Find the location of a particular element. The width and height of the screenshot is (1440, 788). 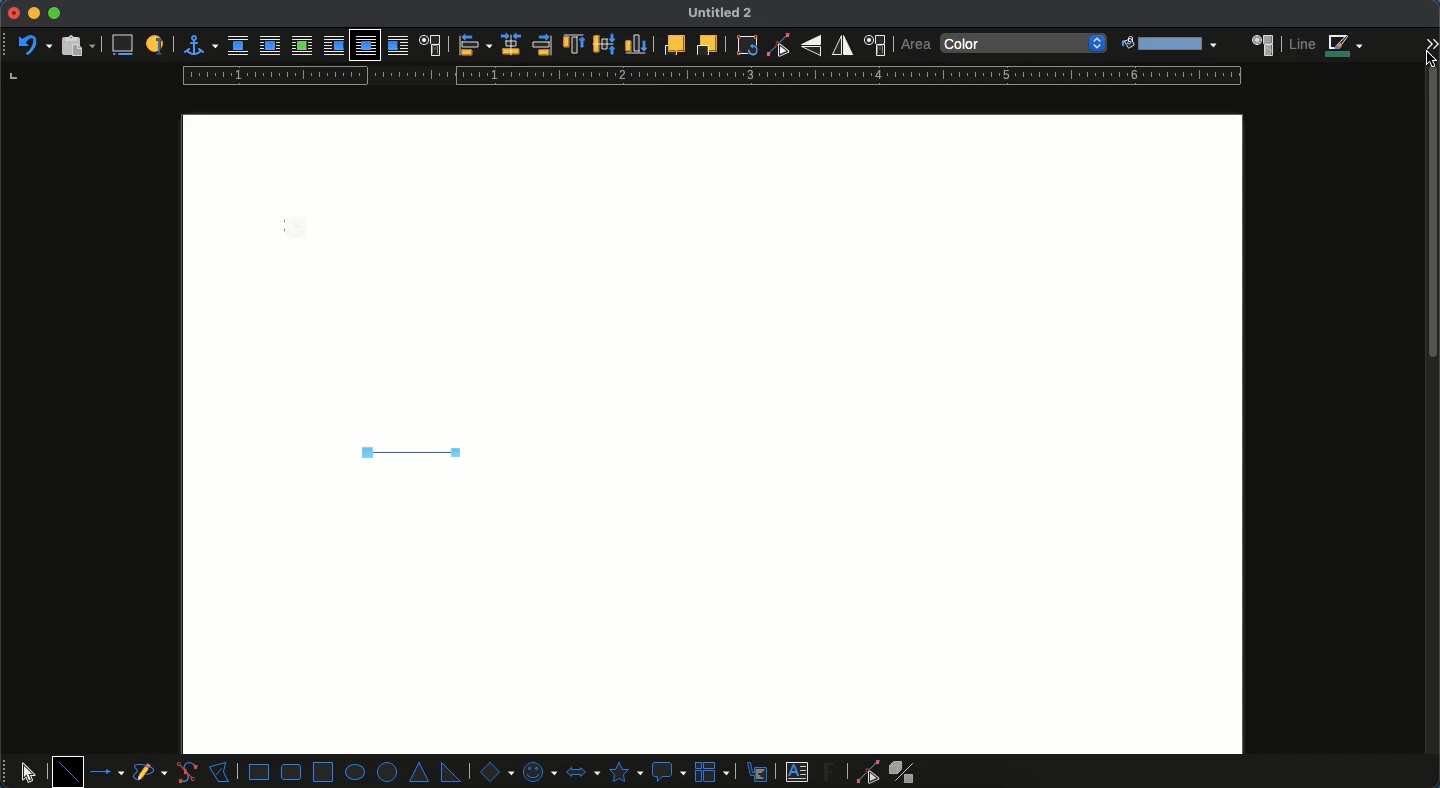

anchor for object is located at coordinates (195, 45).